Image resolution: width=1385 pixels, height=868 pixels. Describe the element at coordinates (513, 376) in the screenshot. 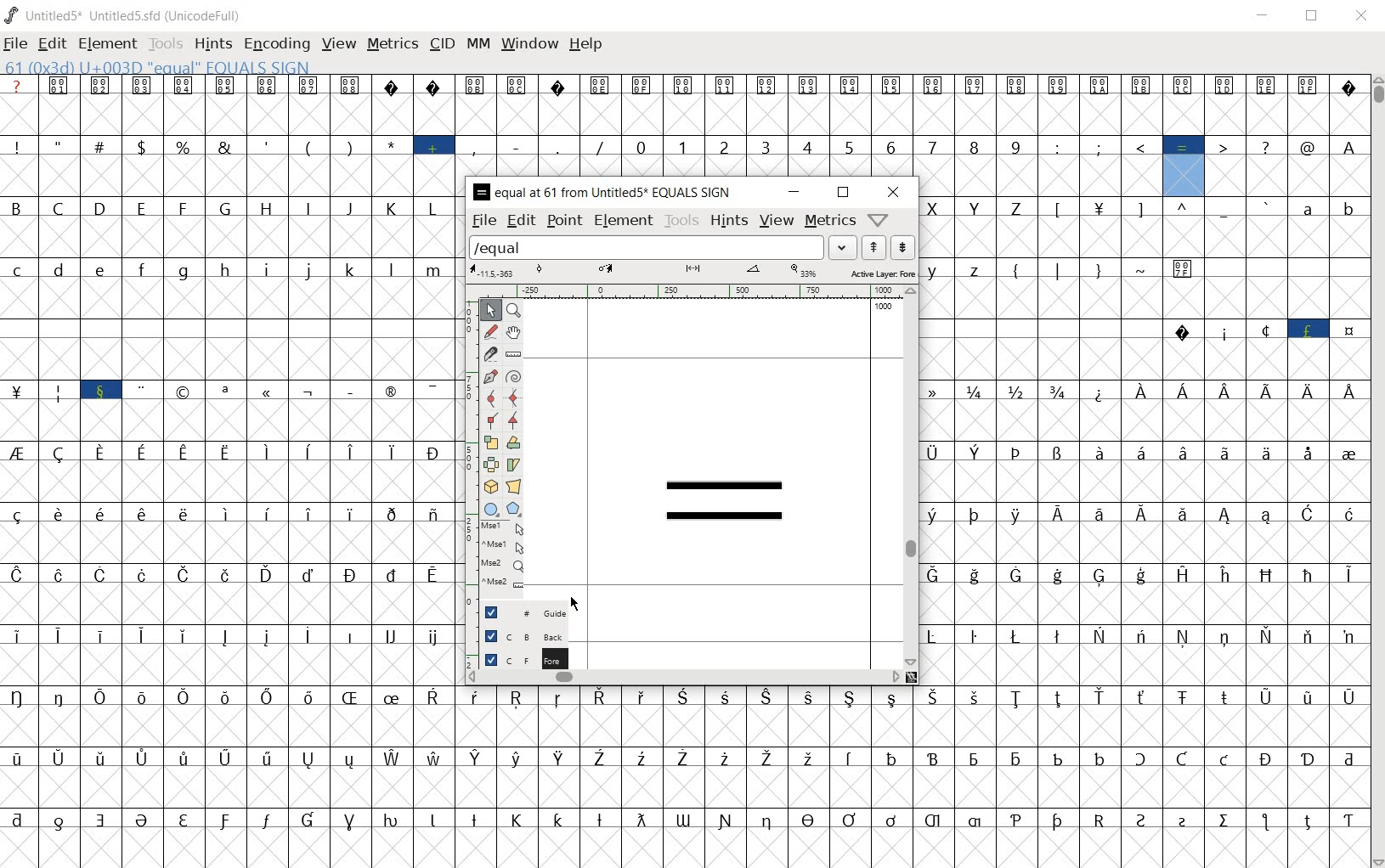

I see `change whether spiro is active or not` at that location.